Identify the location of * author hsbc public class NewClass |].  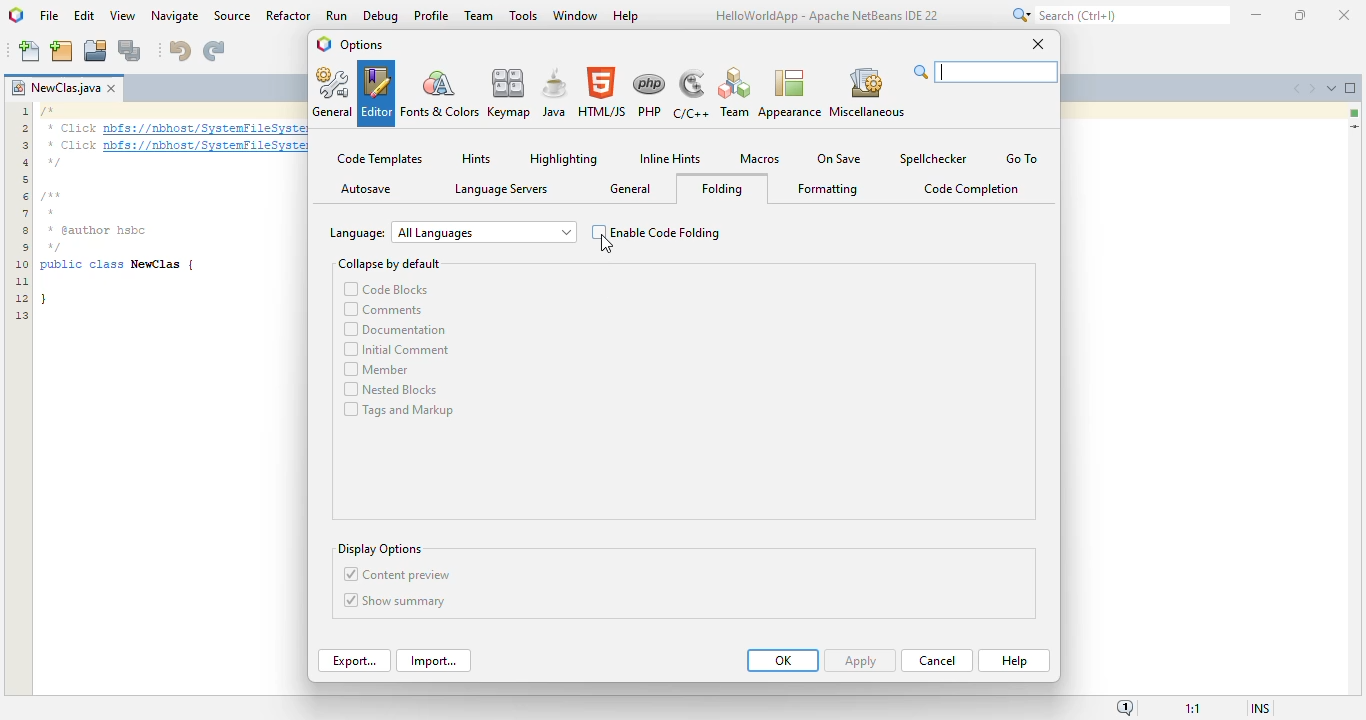
(123, 269).